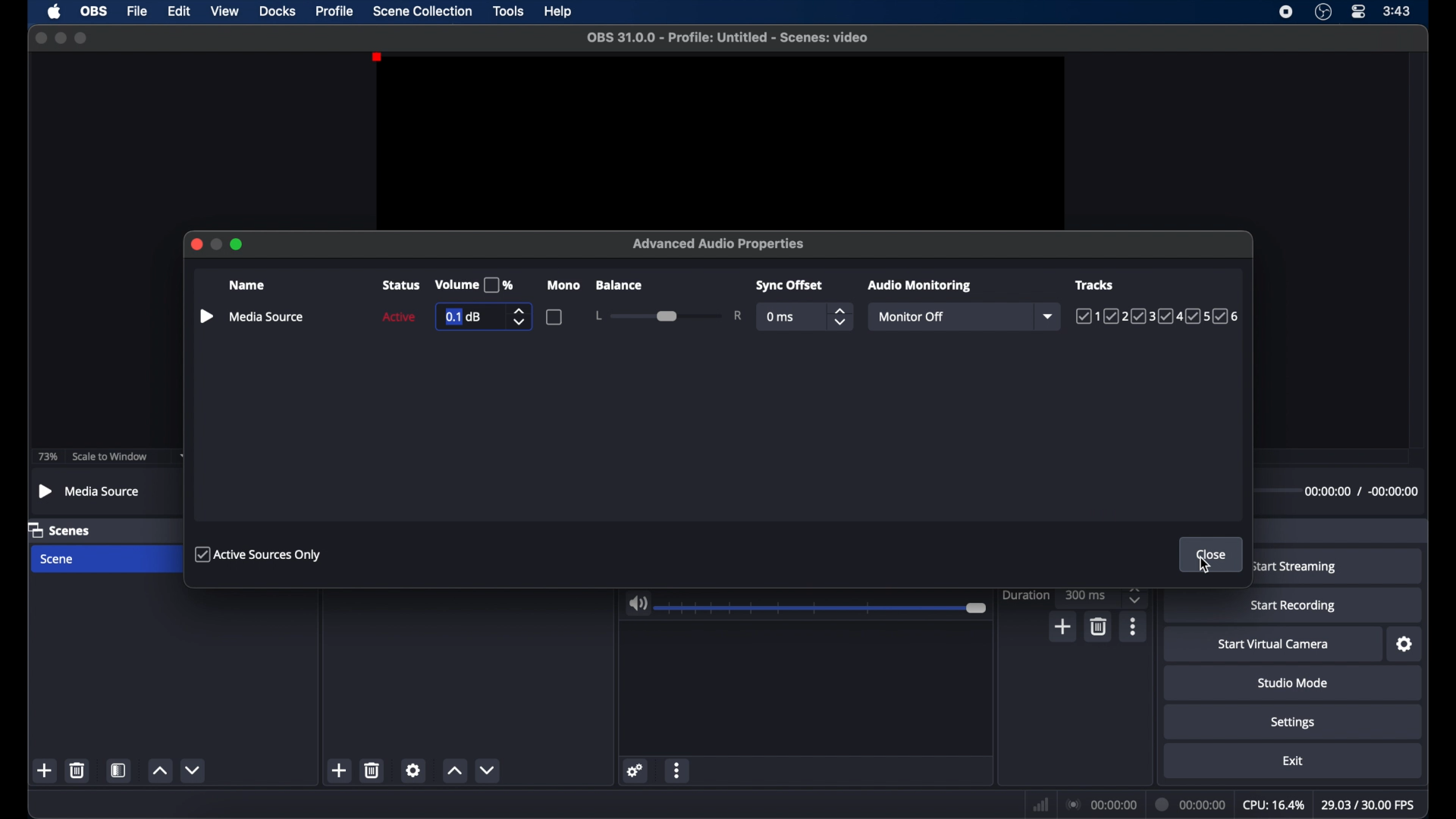 The width and height of the screenshot is (1456, 819). Describe the element at coordinates (138, 11) in the screenshot. I see `file` at that location.